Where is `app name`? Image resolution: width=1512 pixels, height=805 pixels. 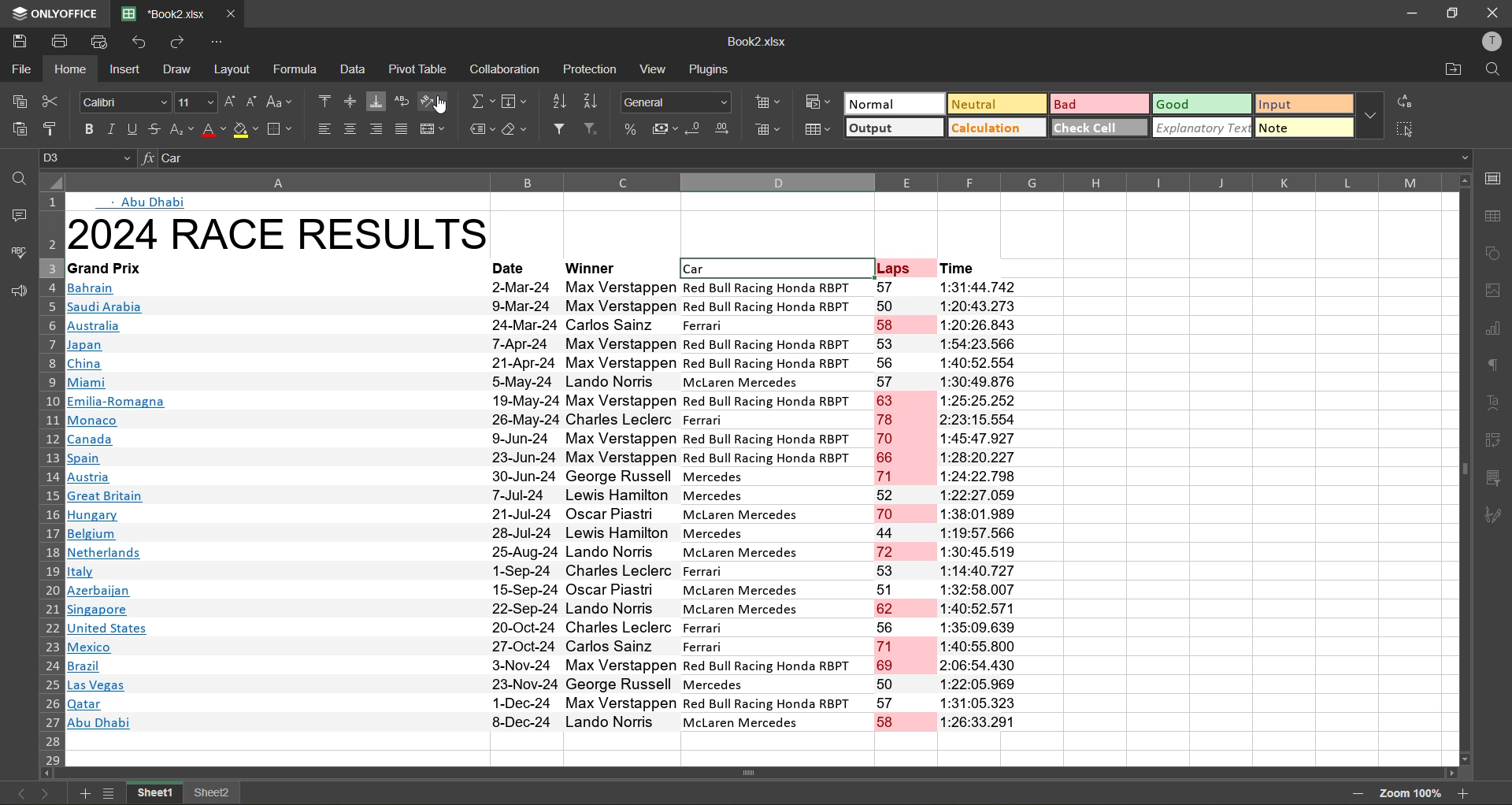
app name is located at coordinates (54, 12).